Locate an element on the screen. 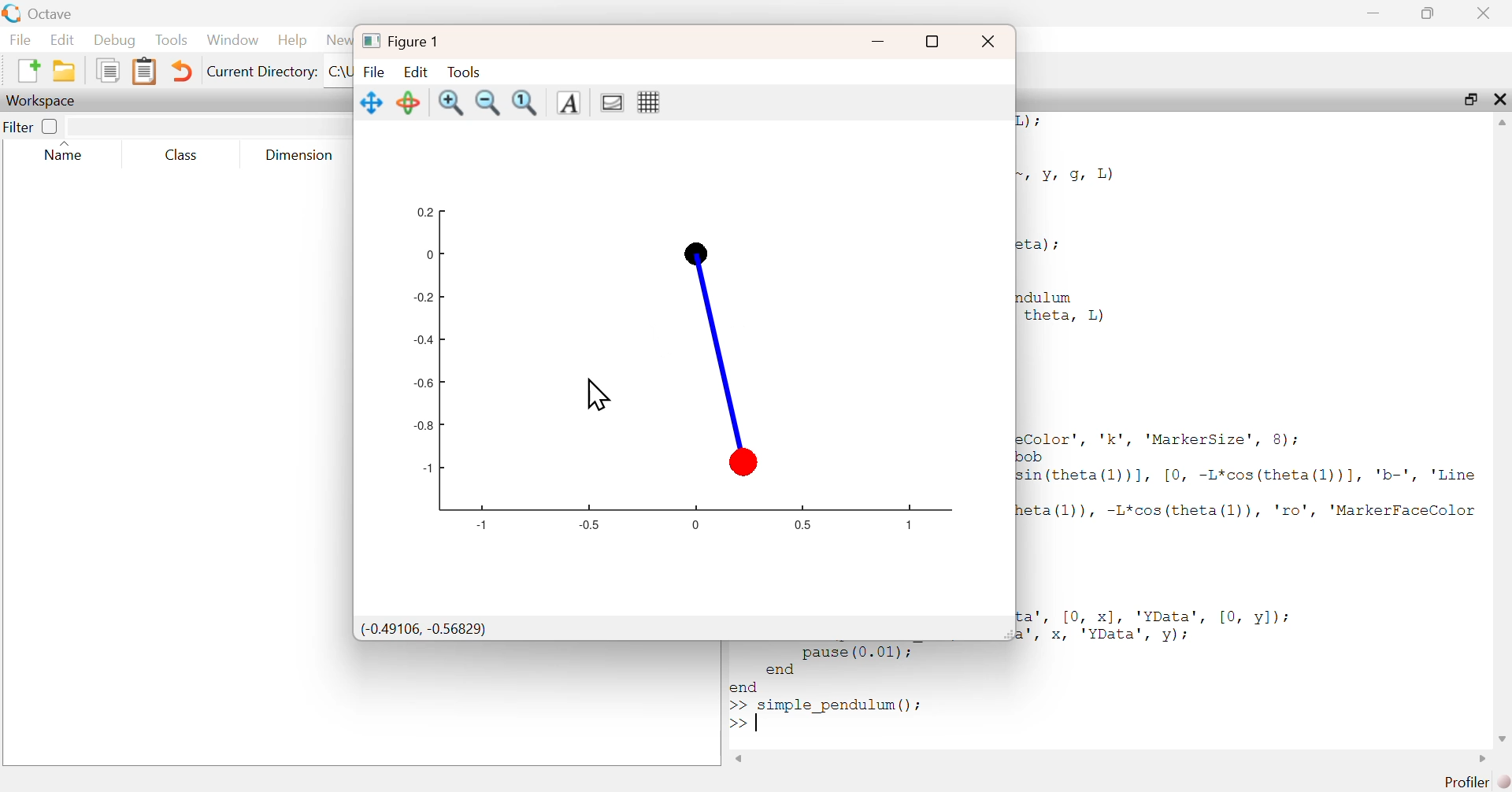 The height and width of the screenshot is (792, 1512). Tools is located at coordinates (462, 72).